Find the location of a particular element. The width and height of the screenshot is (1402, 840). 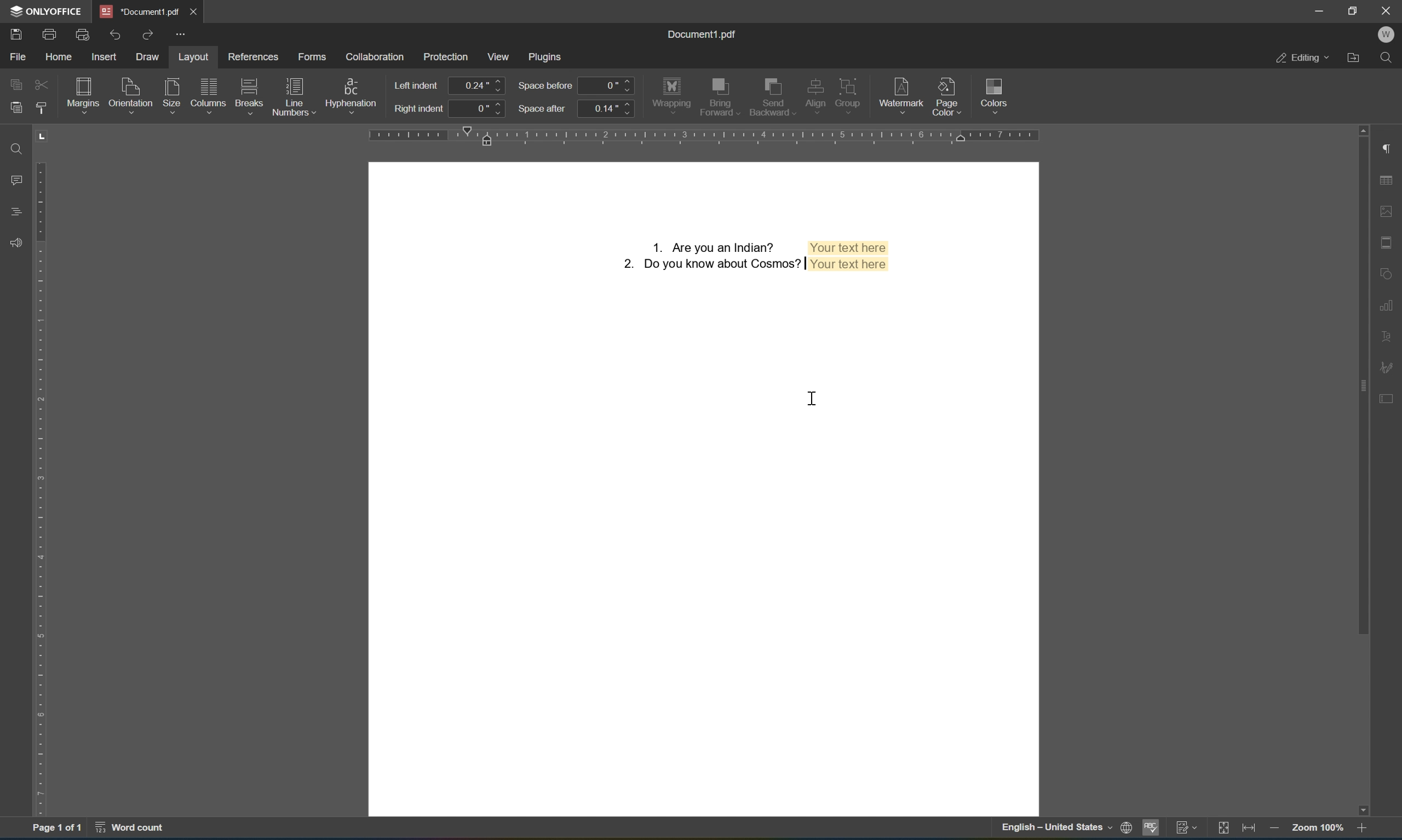

right indent is located at coordinates (420, 109).